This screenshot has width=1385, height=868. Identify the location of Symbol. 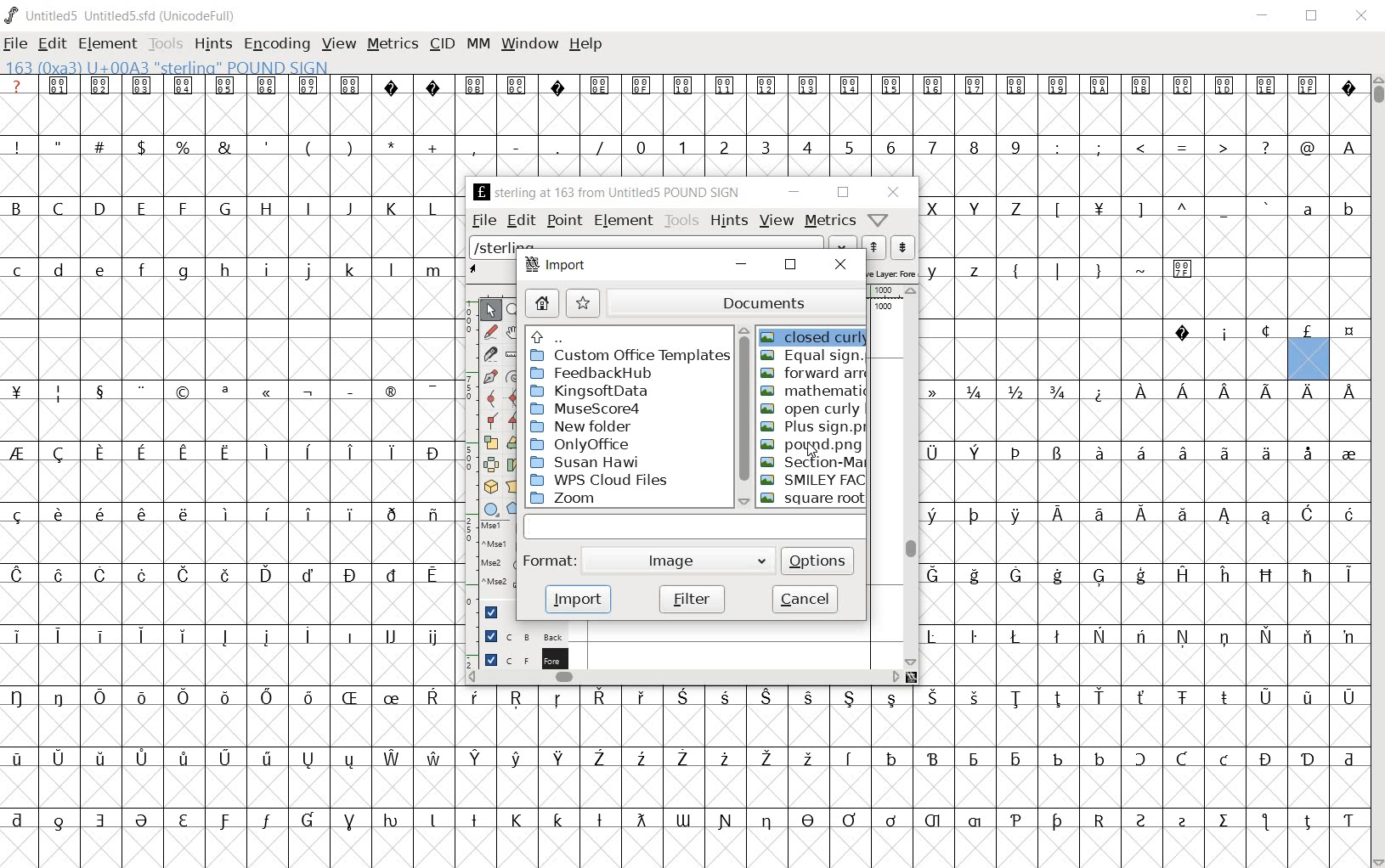
(309, 86).